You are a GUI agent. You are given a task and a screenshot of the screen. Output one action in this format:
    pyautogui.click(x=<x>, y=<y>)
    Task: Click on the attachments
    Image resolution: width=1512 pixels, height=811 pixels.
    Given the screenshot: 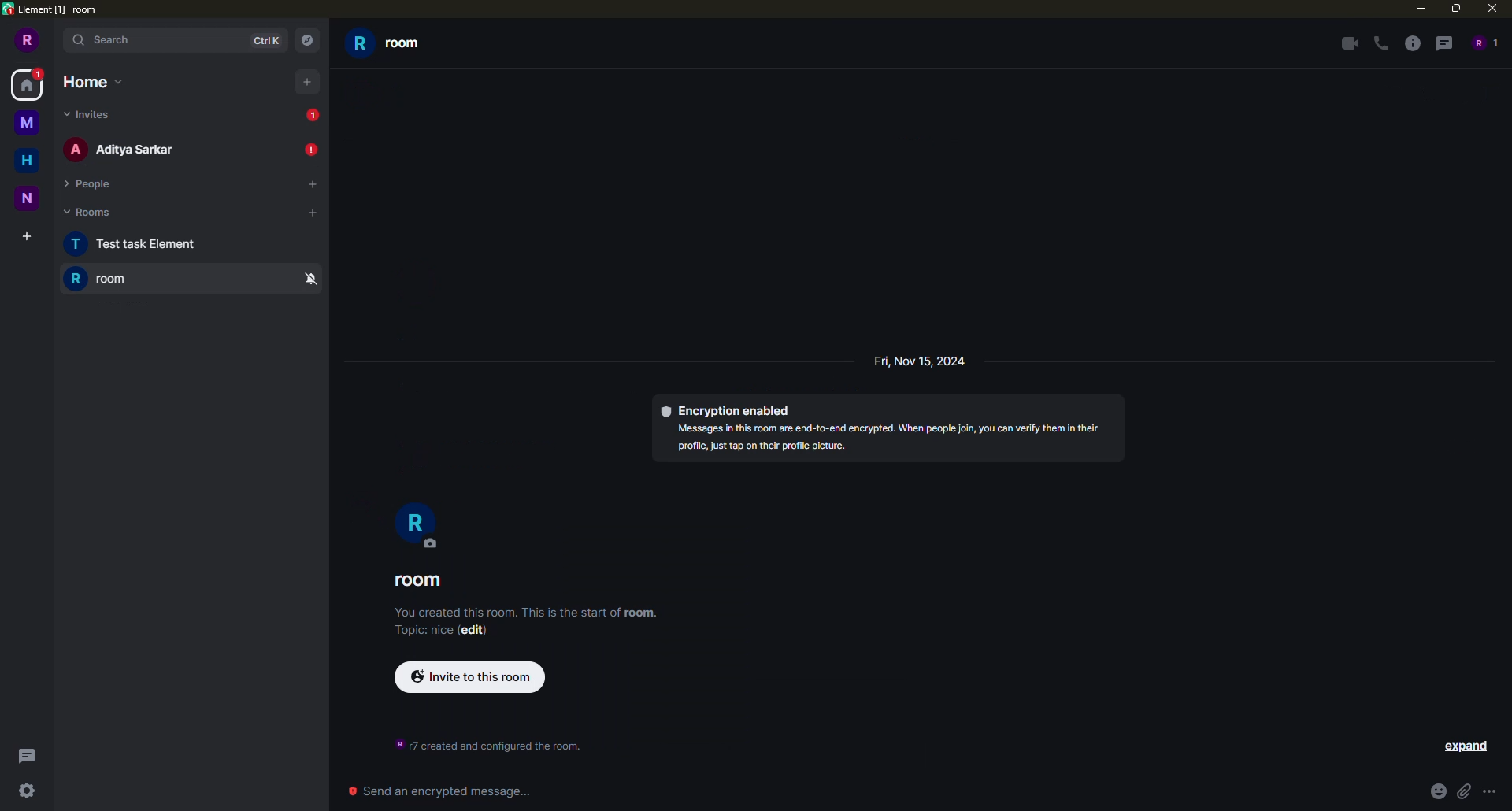 What is the action you would take?
    pyautogui.click(x=1462, y=793)
    